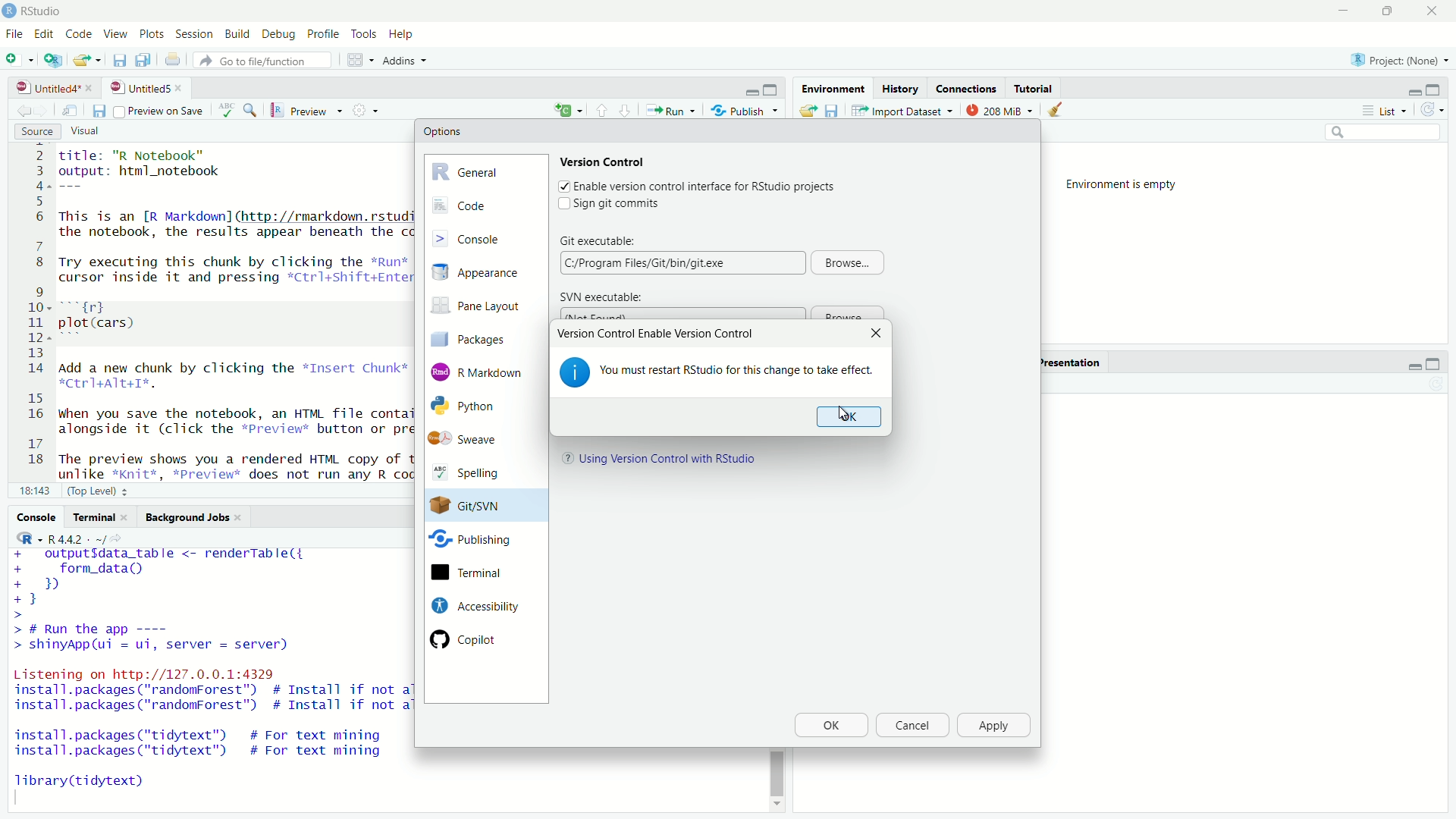 This screenshot has width=1456, height=819. What do you see at coordinates (484, 273) in the screenshot?
I see `Appearance` at bounding box center [484, 273].